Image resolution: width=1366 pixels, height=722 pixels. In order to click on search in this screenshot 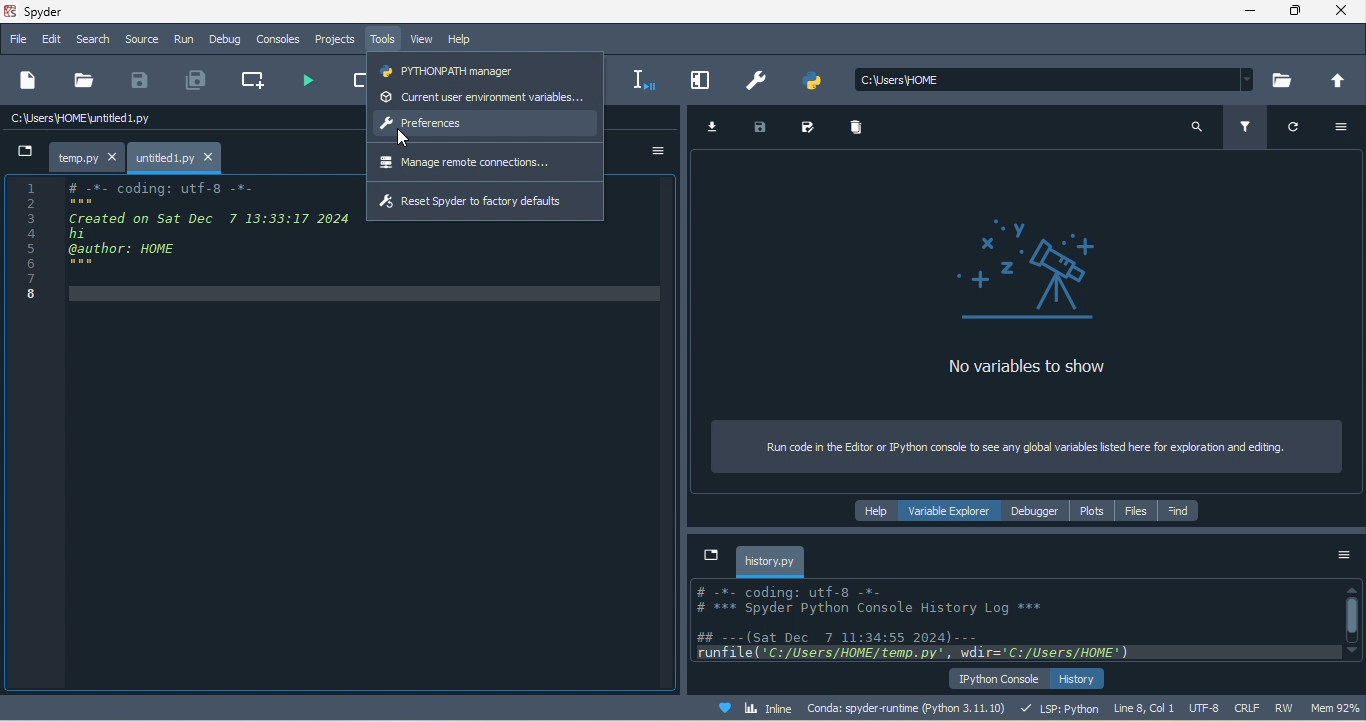, I will do `click(92, 40)`.